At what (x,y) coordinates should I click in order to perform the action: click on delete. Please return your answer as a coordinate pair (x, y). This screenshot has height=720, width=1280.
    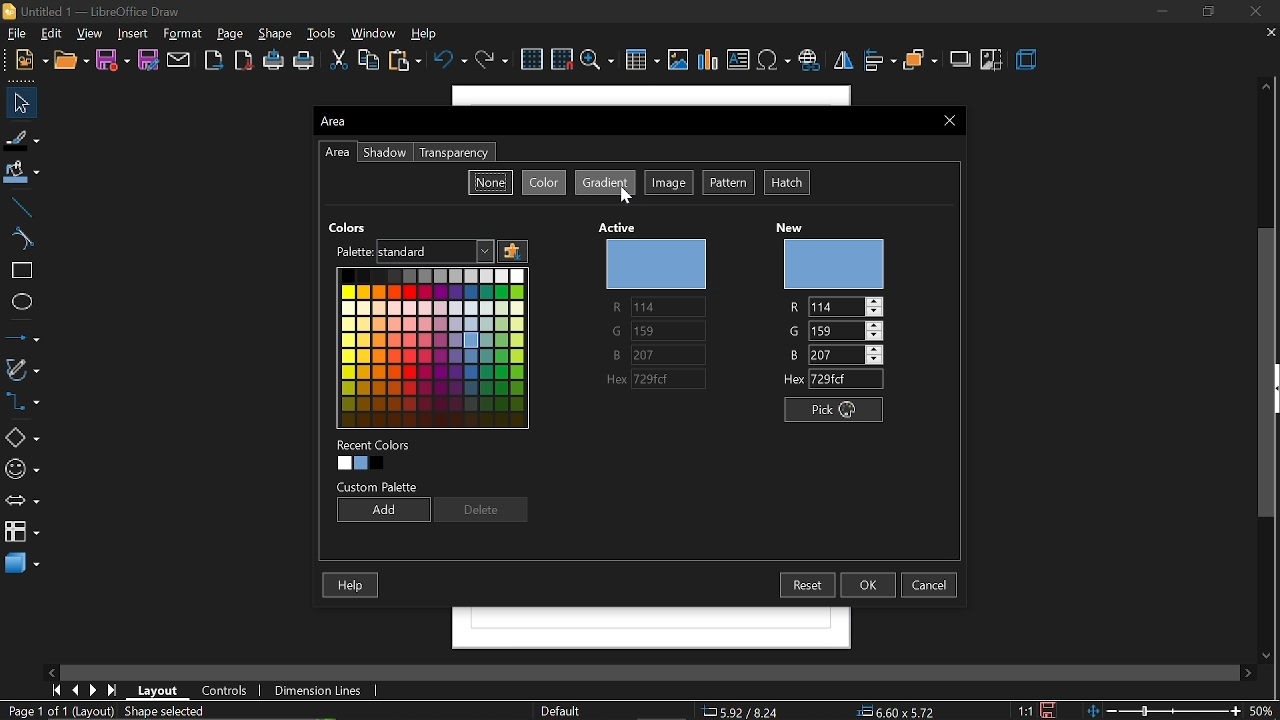
    Looking at the image, I should click on (479, 509).